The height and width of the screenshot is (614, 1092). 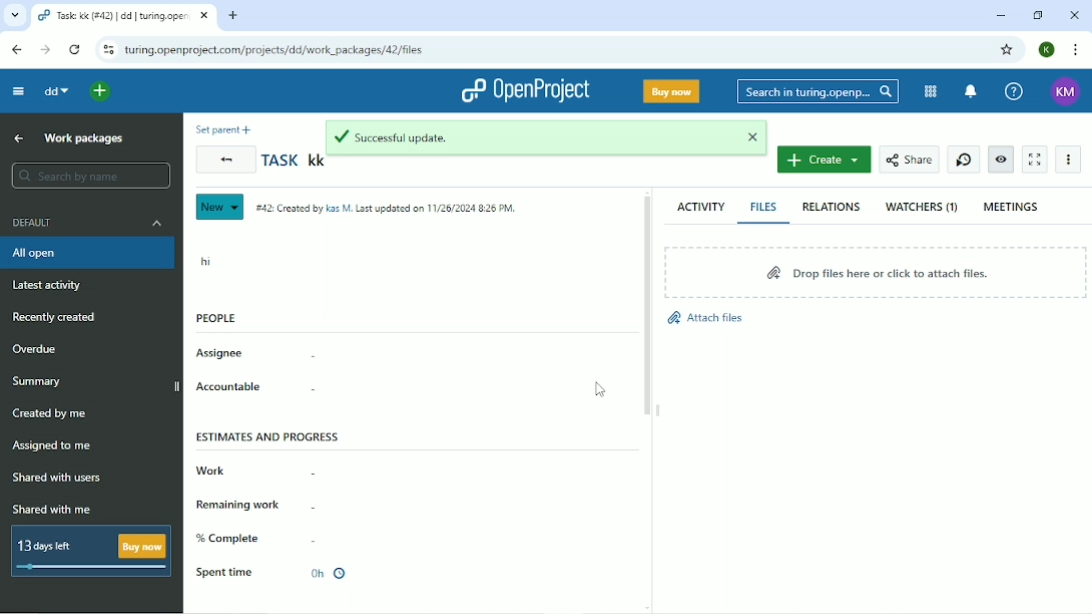 I want to click on Bookmark this tab, so click(x=1007, y=50).